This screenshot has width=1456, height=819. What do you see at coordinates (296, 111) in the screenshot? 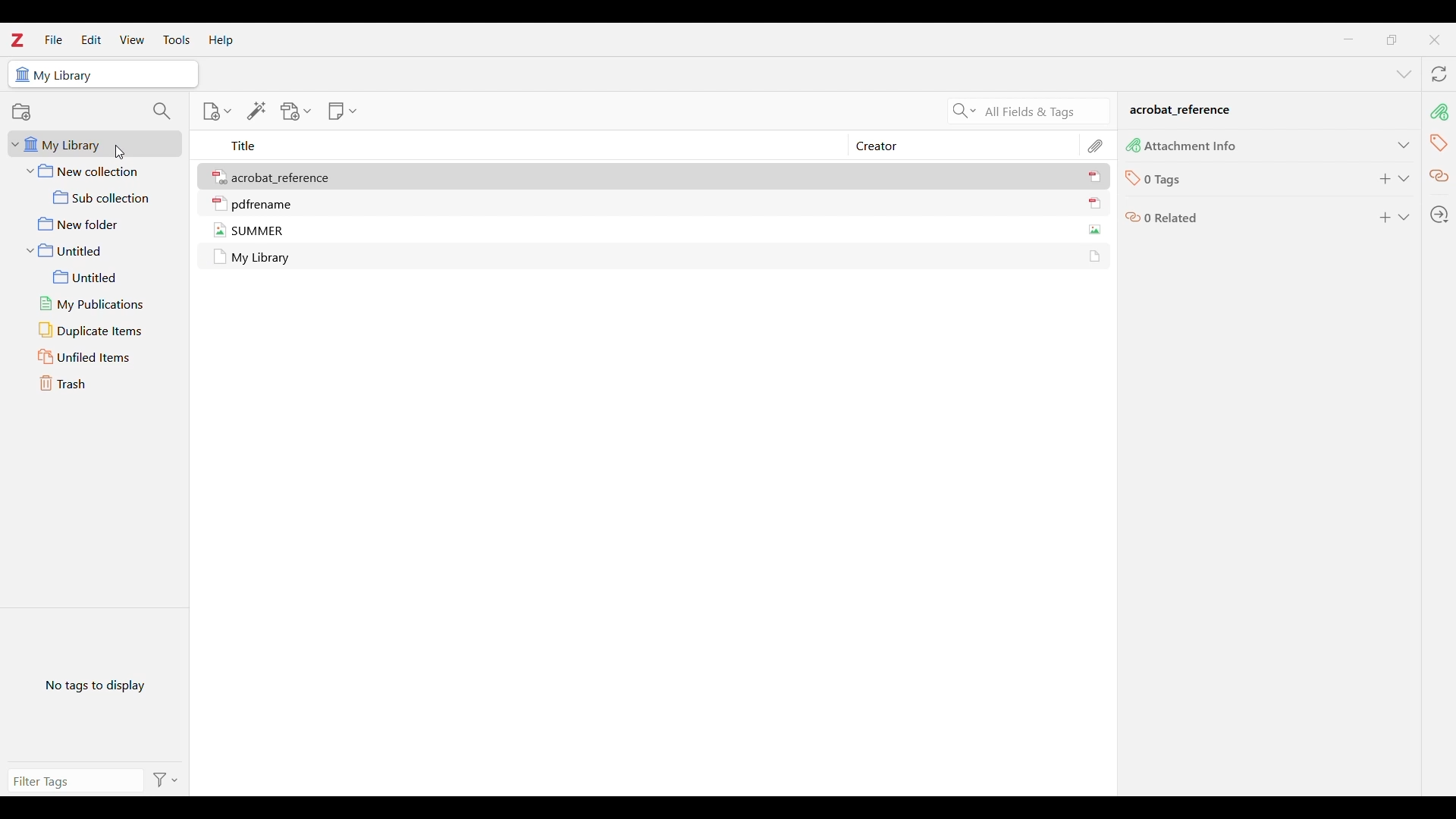
I see `Add attachment options` at bounding box center [296, 111].